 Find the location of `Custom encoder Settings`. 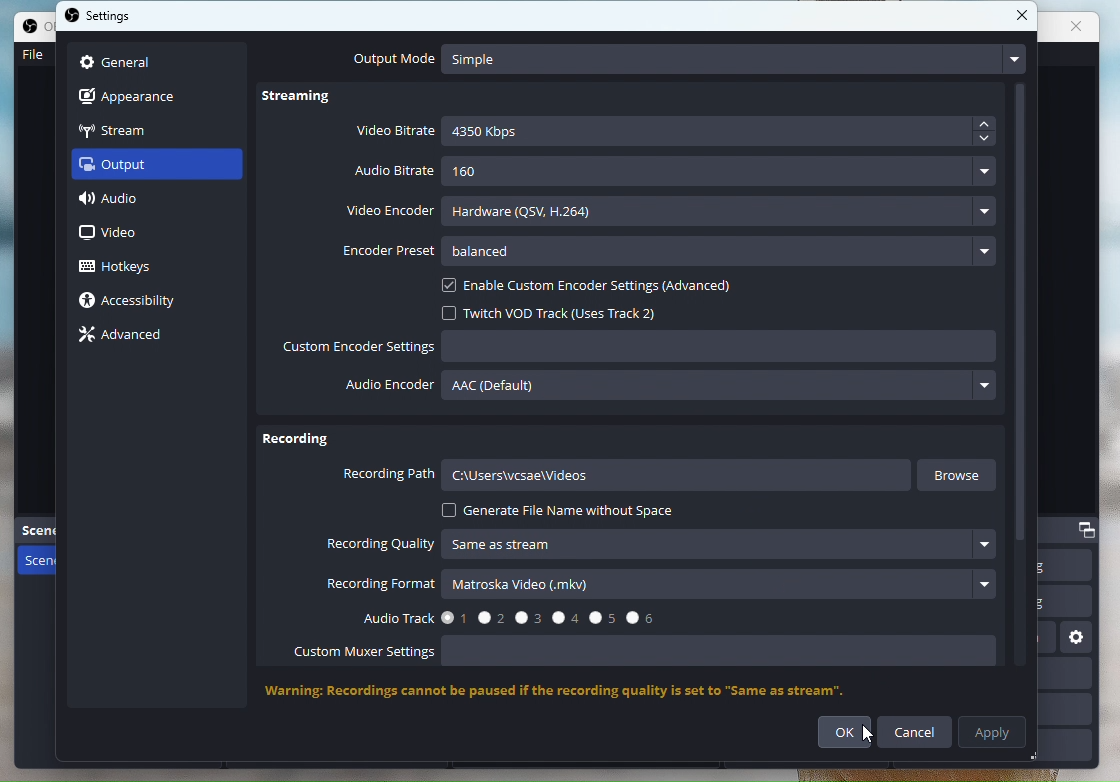

Custom encoder Settings is located at coordinates (641, 349).